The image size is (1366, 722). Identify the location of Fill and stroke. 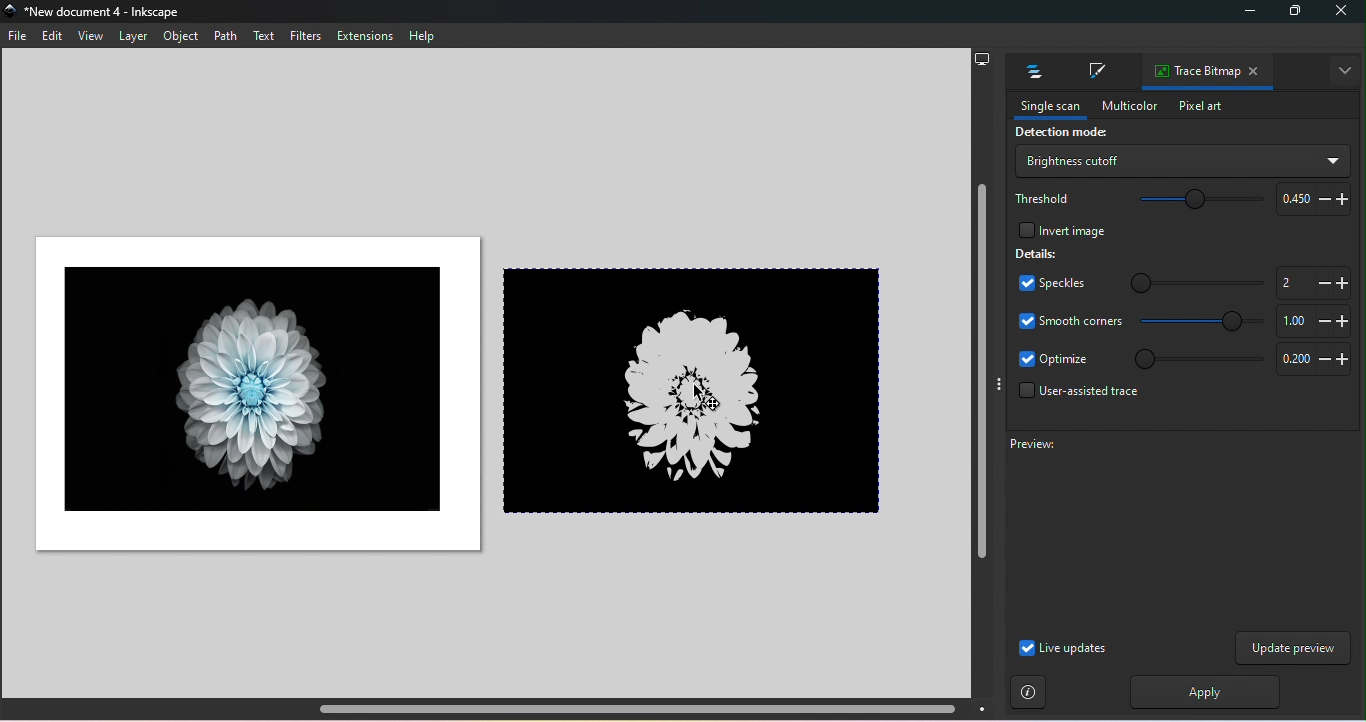
(1094, 73).